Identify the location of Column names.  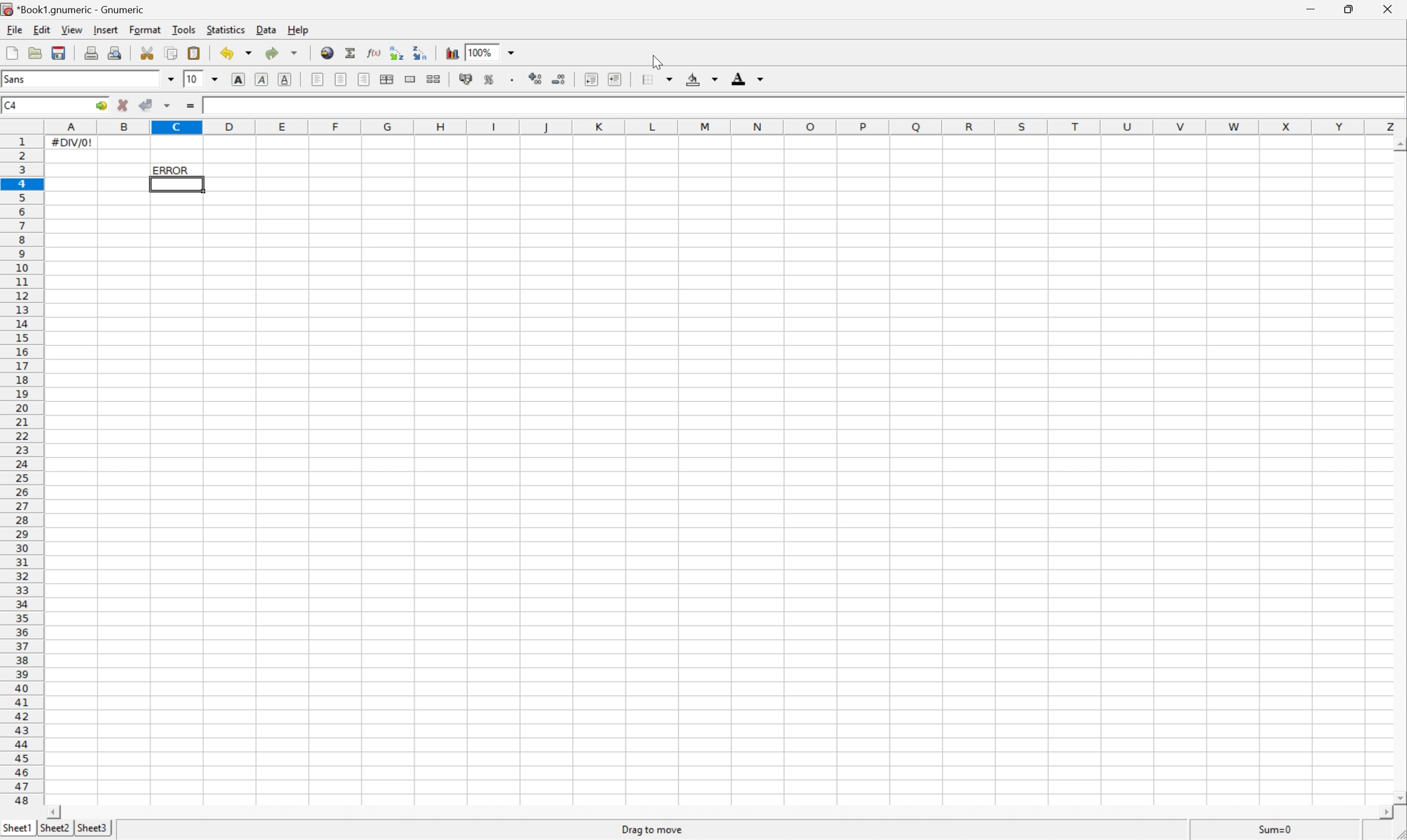
(723, 127).